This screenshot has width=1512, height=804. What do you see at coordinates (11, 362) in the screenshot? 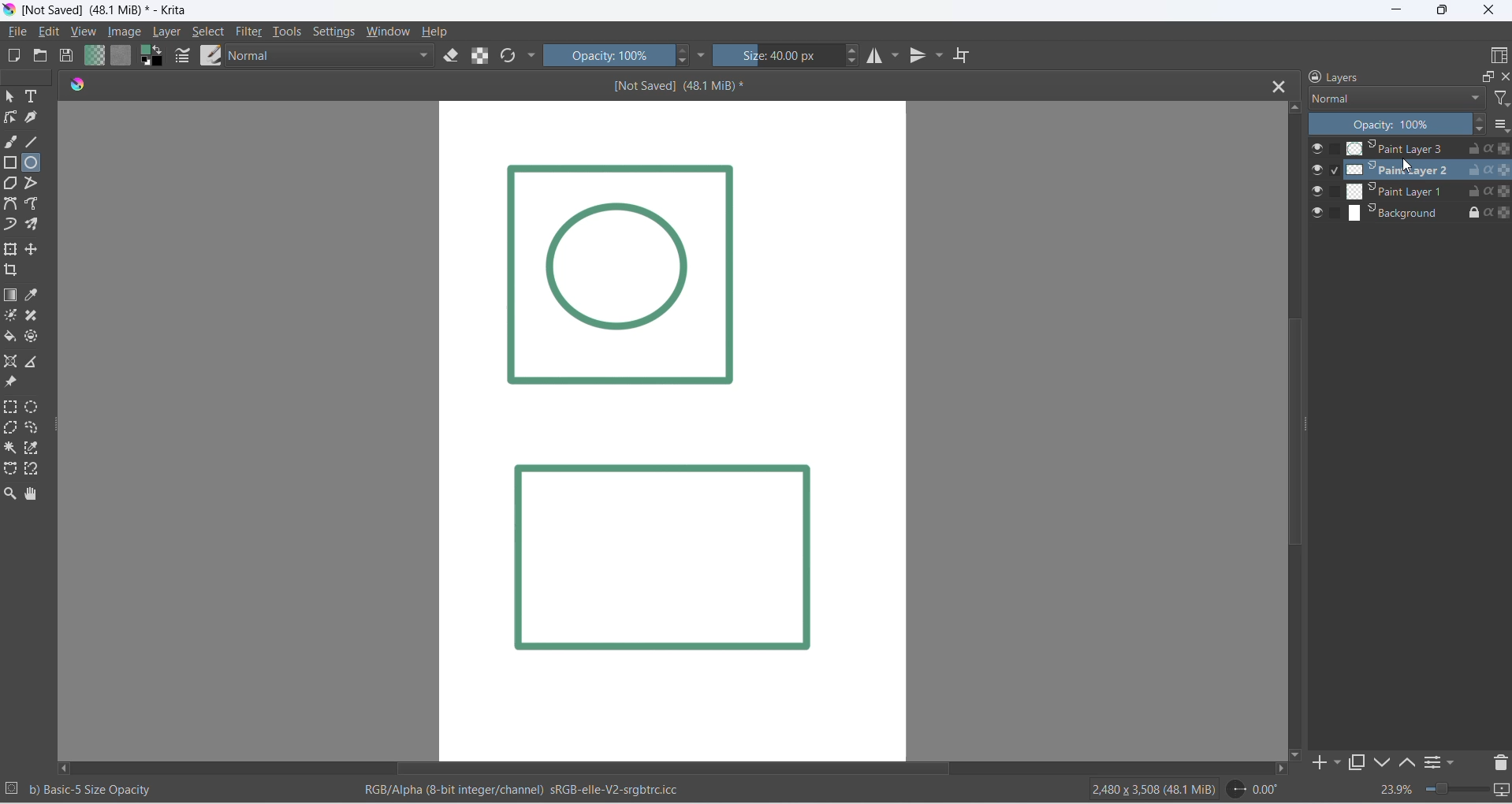
I see `assistant tool` at bounding box center [11, 362].